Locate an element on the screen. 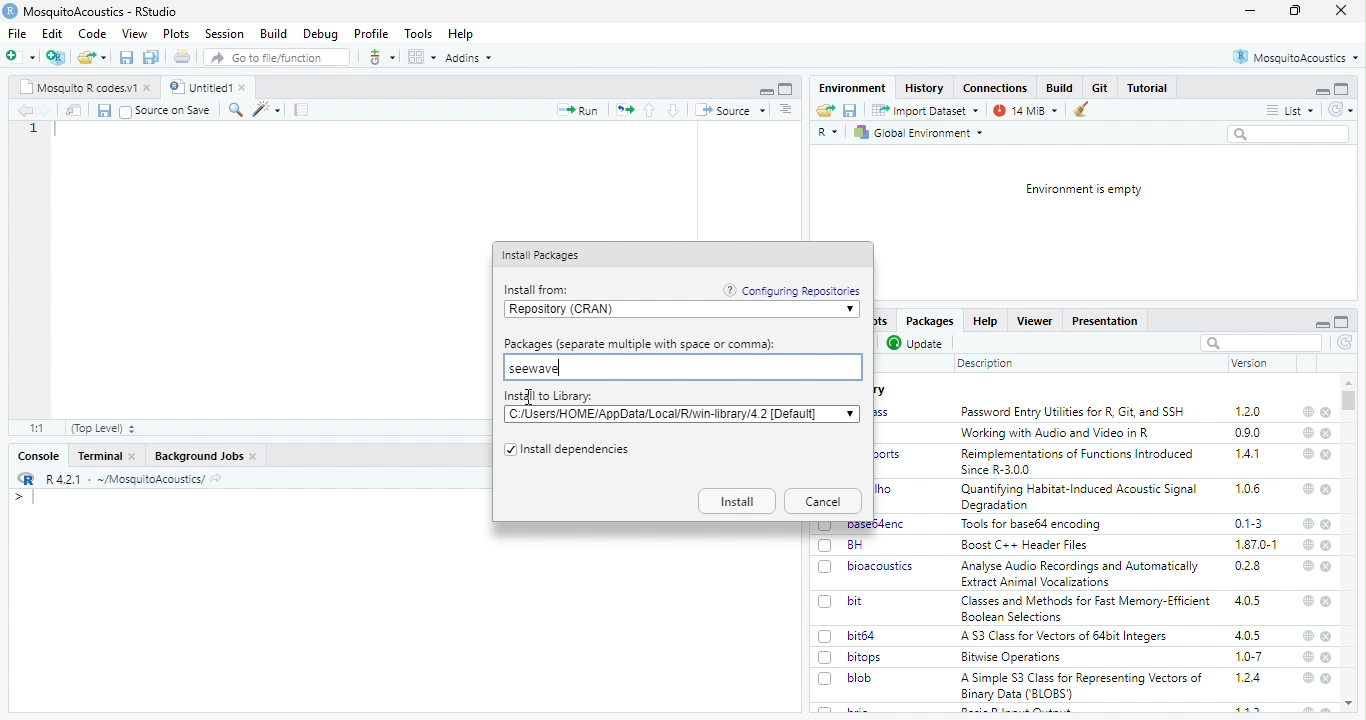  blob is located at coordinates (860, 678).